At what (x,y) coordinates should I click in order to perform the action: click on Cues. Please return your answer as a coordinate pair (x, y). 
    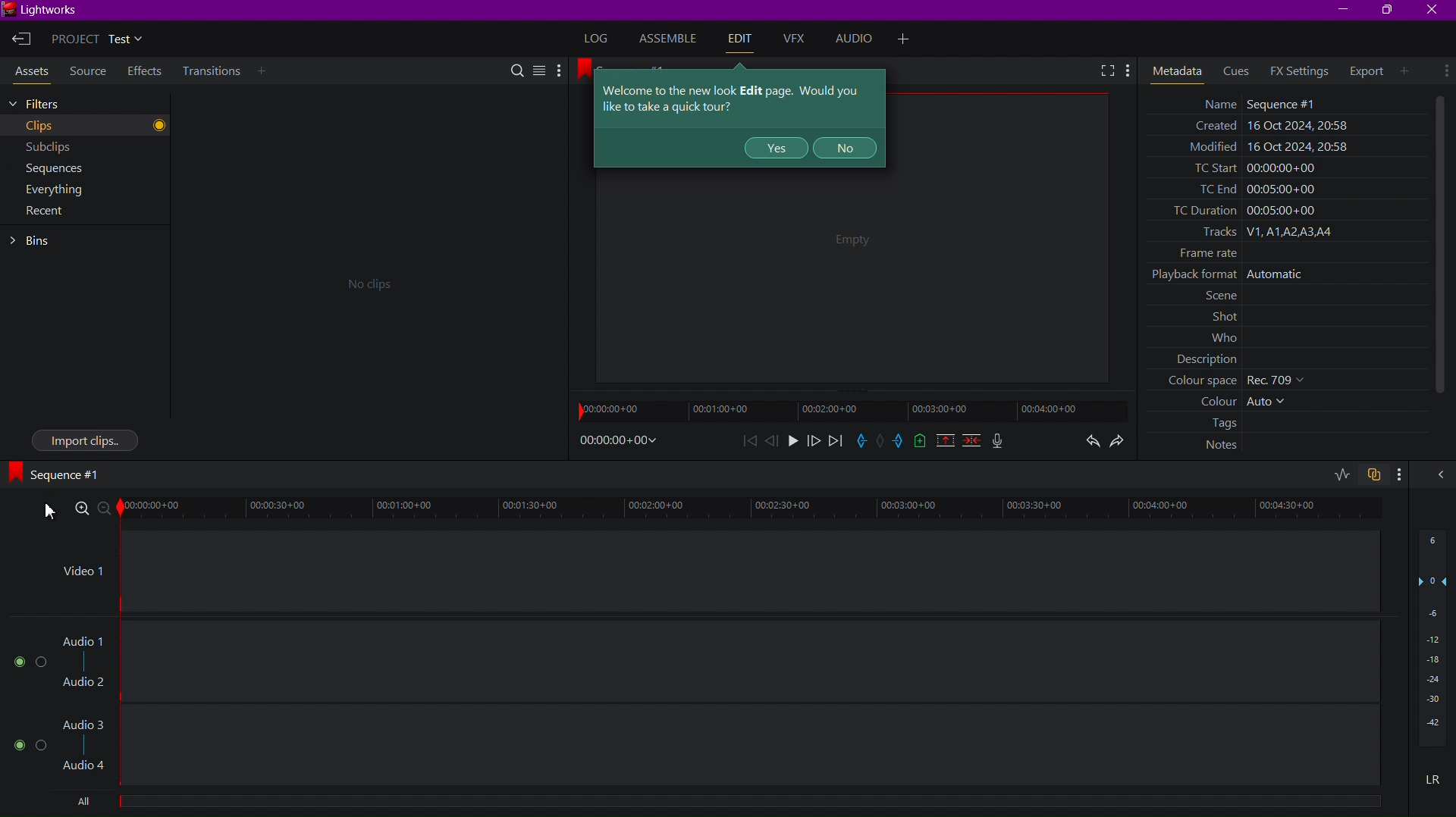
    Looking at the image, I should click on (1238, 70).